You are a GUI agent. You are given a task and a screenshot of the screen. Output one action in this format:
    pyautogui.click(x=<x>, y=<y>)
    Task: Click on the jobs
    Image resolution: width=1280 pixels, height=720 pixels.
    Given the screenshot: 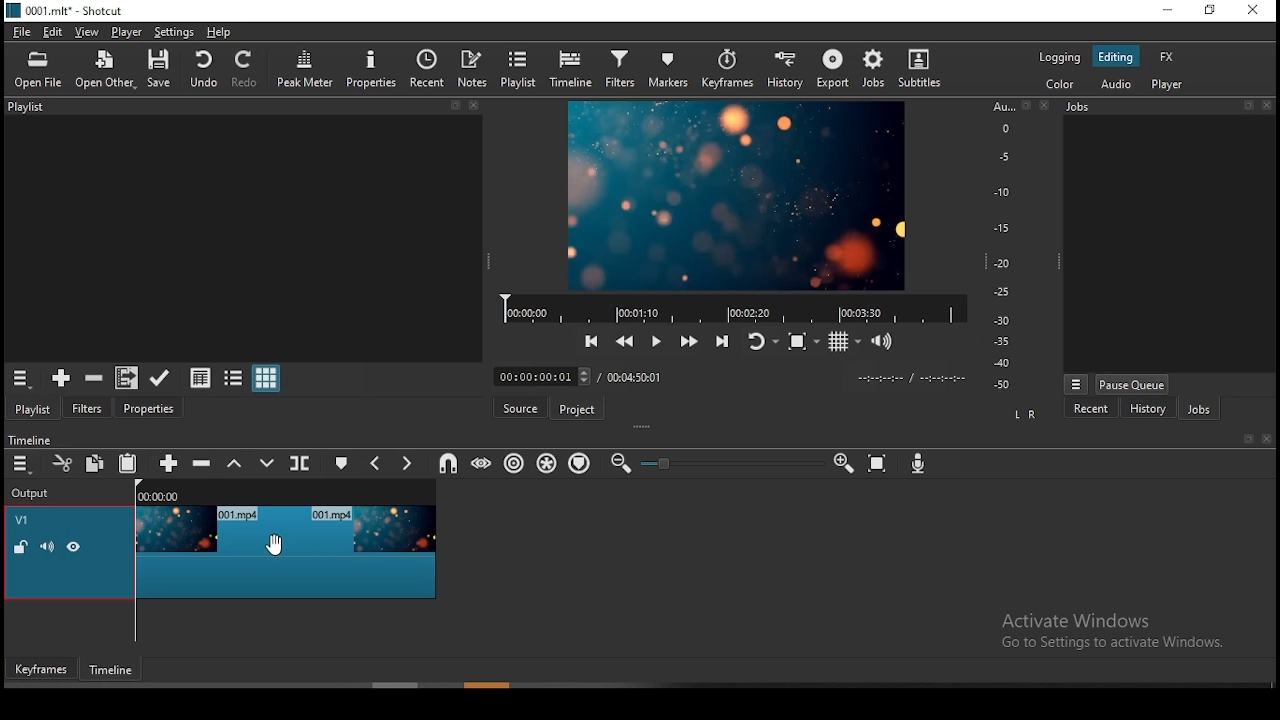 What is the action you would take?
    pyautogui.click(x=873, y=72)
    